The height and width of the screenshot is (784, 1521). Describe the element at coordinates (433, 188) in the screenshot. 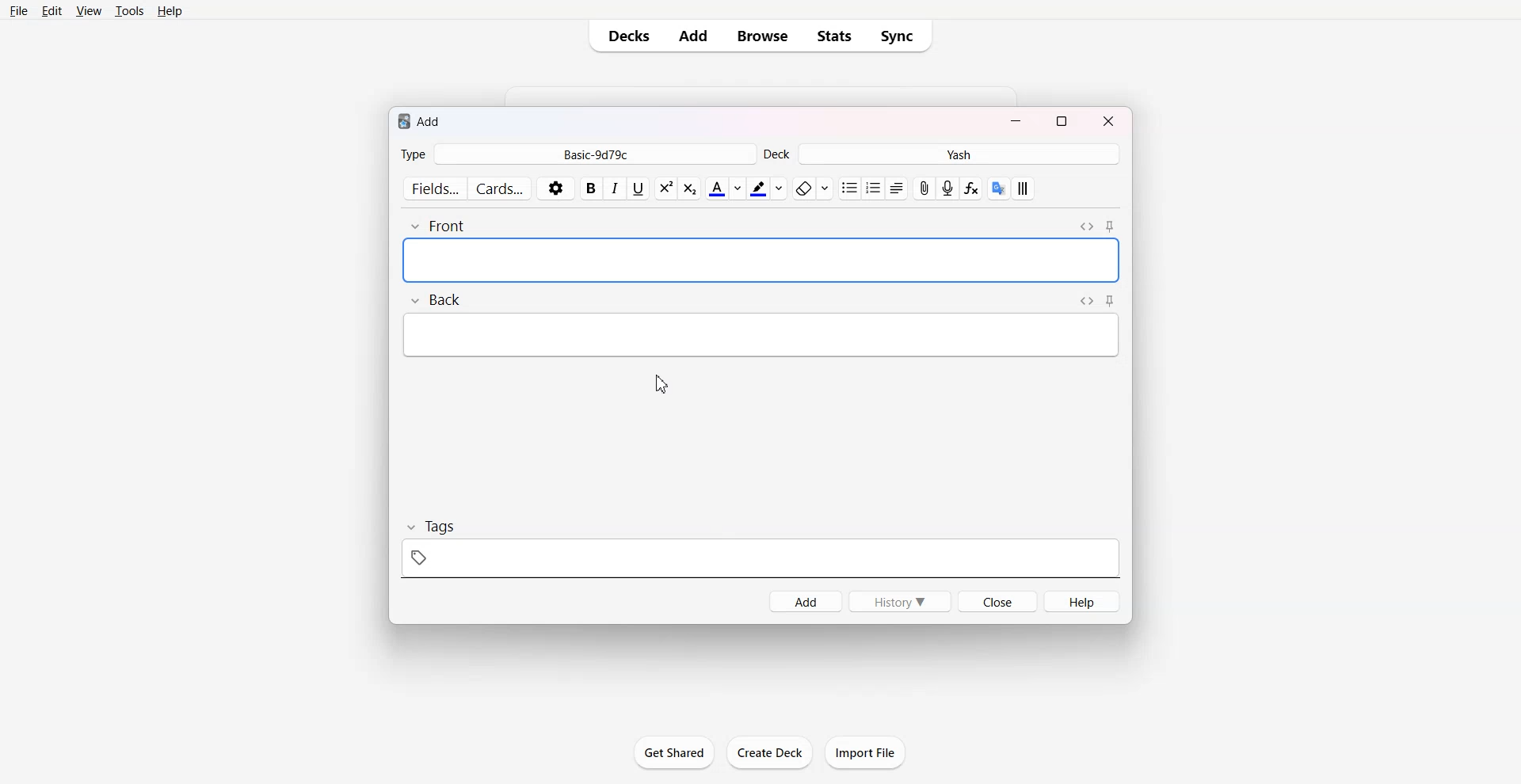

I see `Fields` at that location.